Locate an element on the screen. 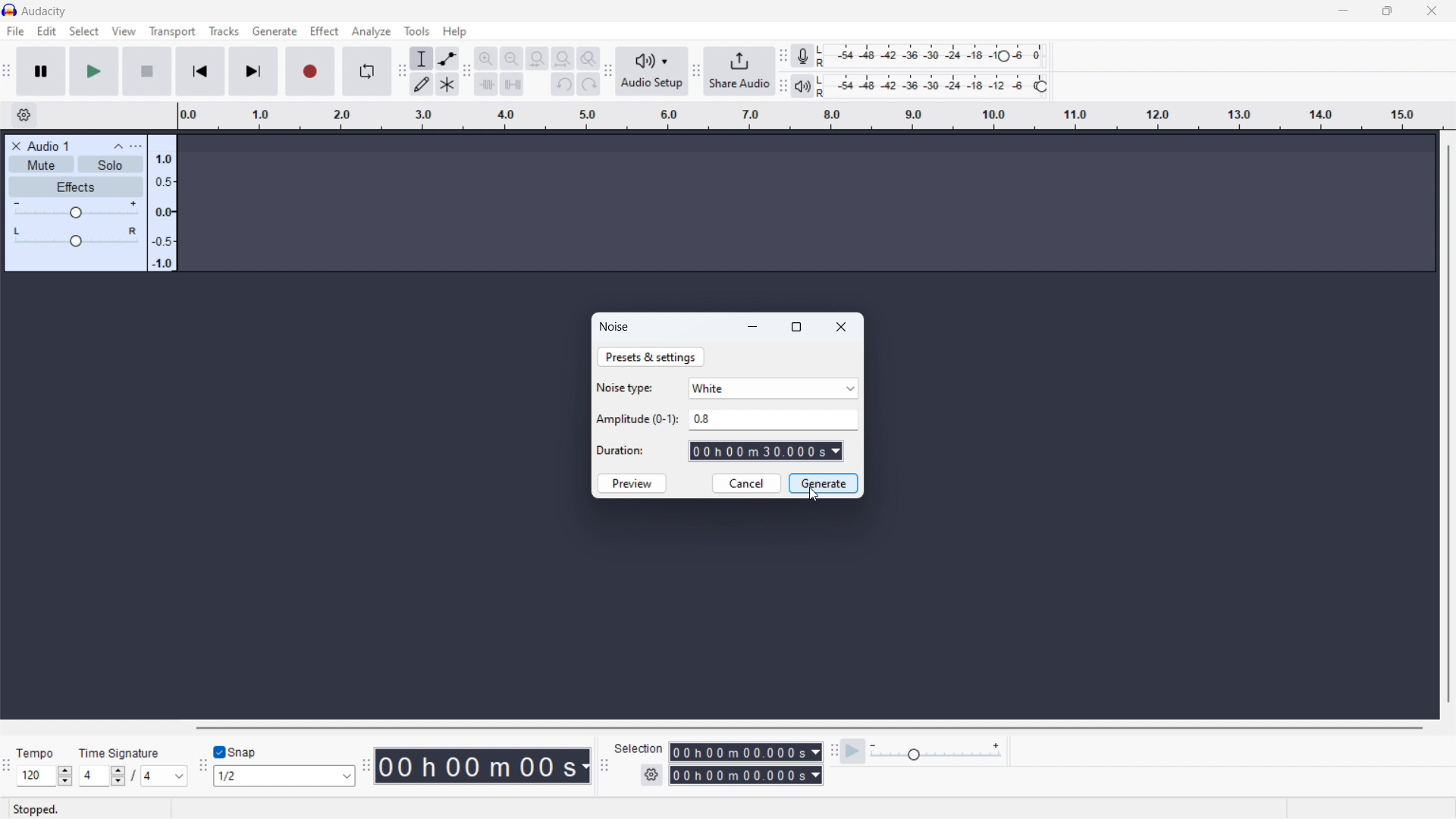  select is located at coordinates (84, 31).